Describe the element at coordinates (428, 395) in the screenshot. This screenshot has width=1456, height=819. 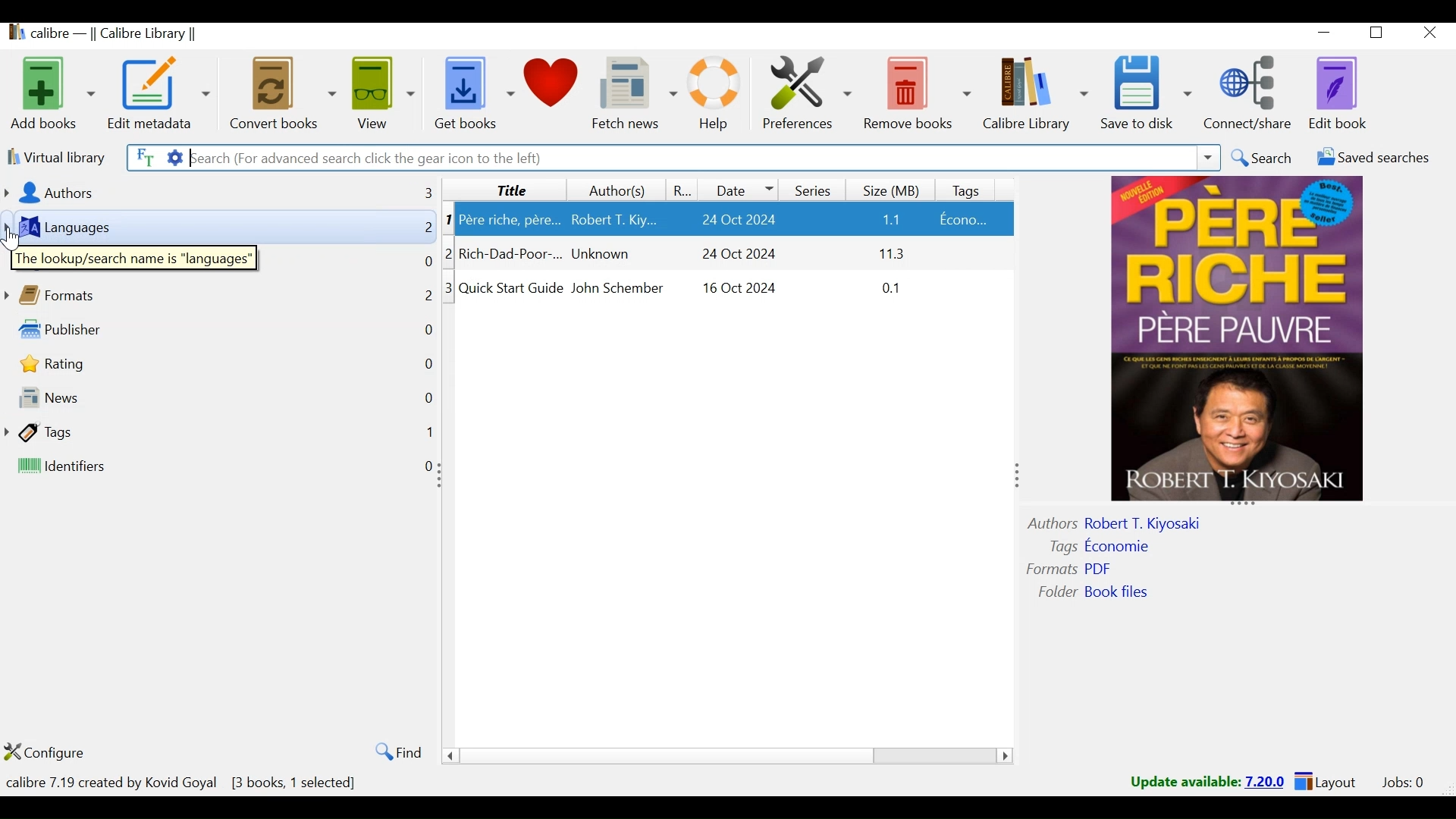
I see `0` at that location.